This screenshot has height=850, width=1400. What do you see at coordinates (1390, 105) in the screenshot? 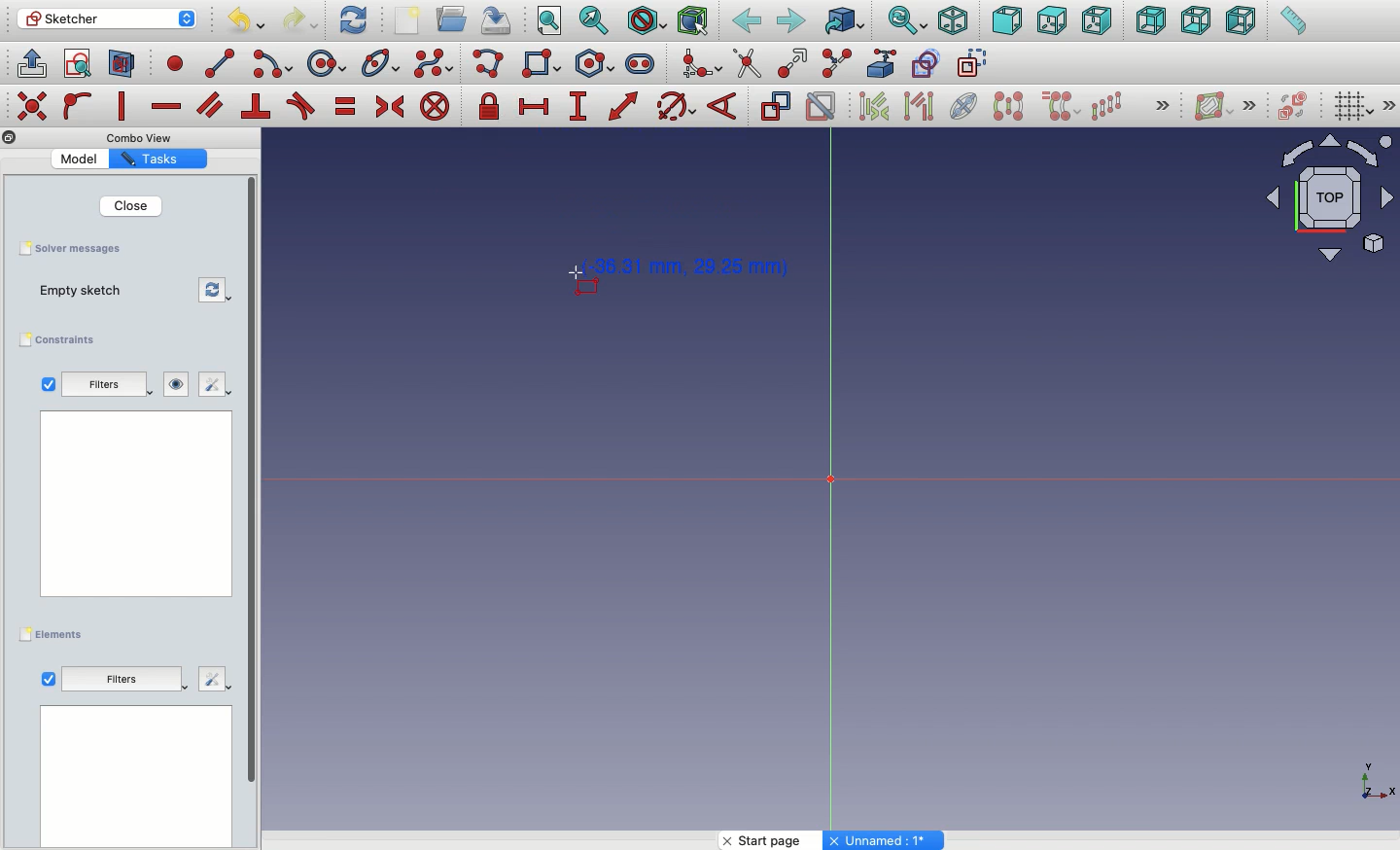
I see `Expand` at bounding box center [1390, 105].